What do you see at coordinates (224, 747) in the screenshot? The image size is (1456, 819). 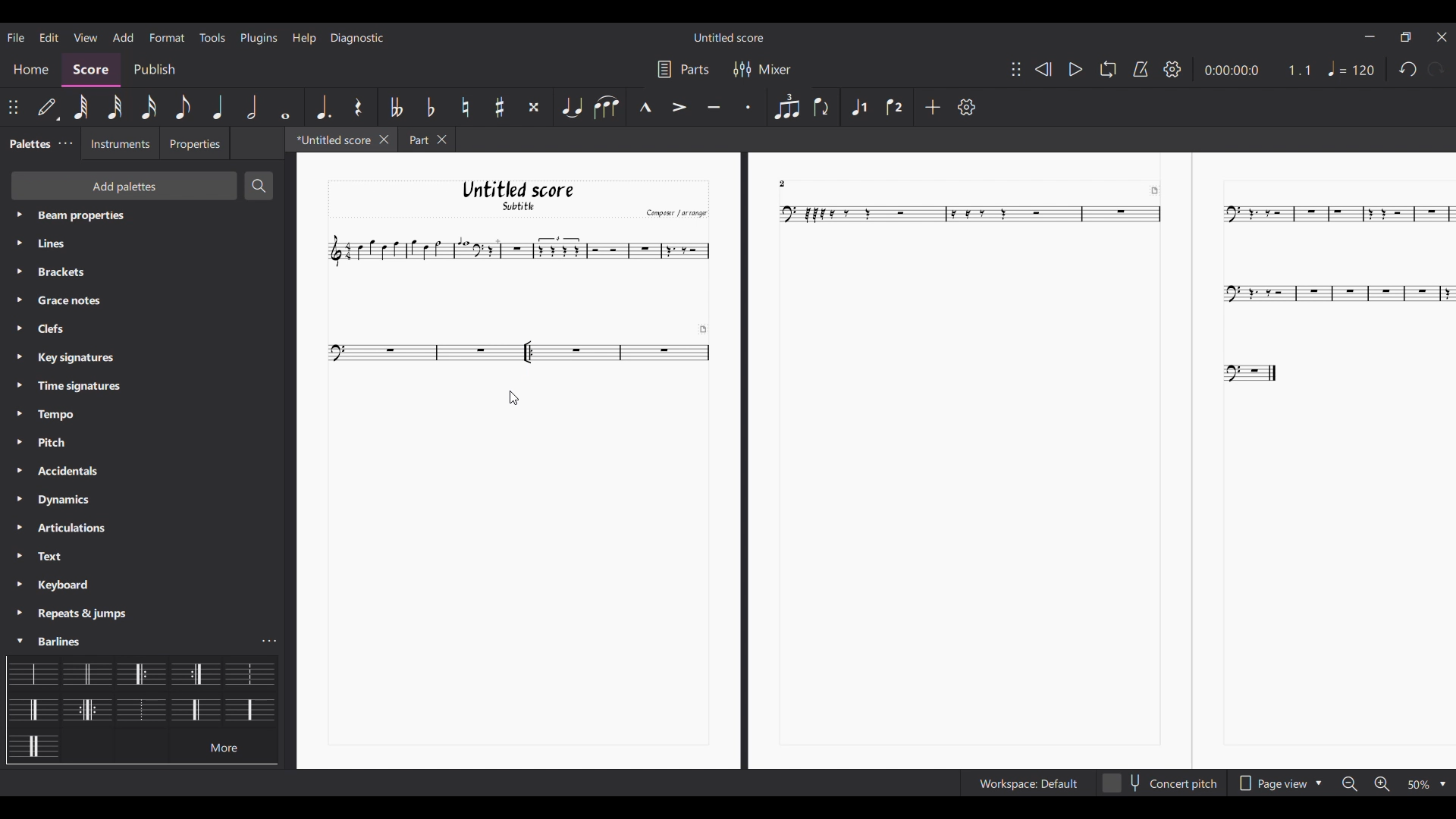 I see `more` at bounding box center [224, 747].